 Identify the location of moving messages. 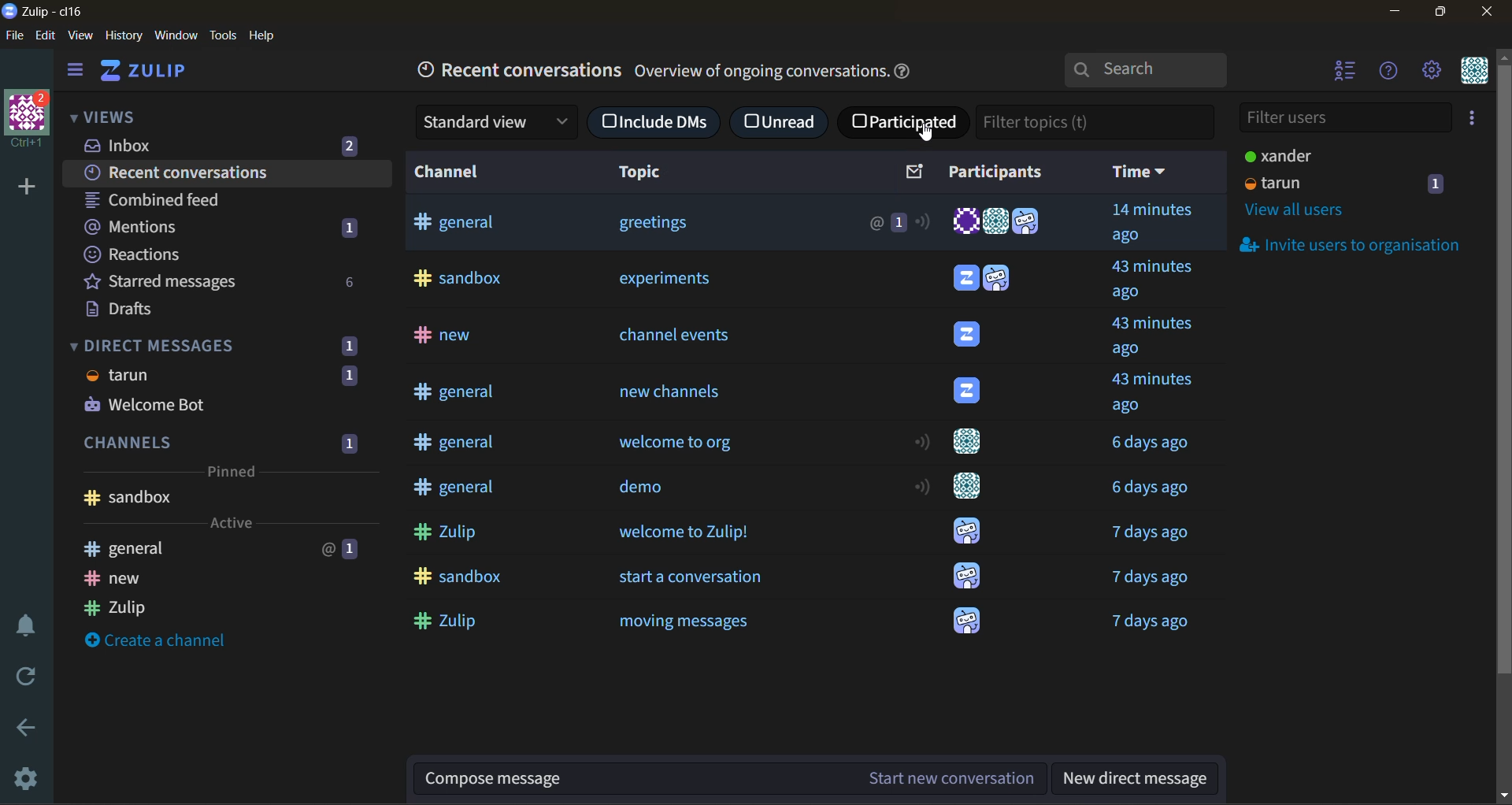
(690, 620).